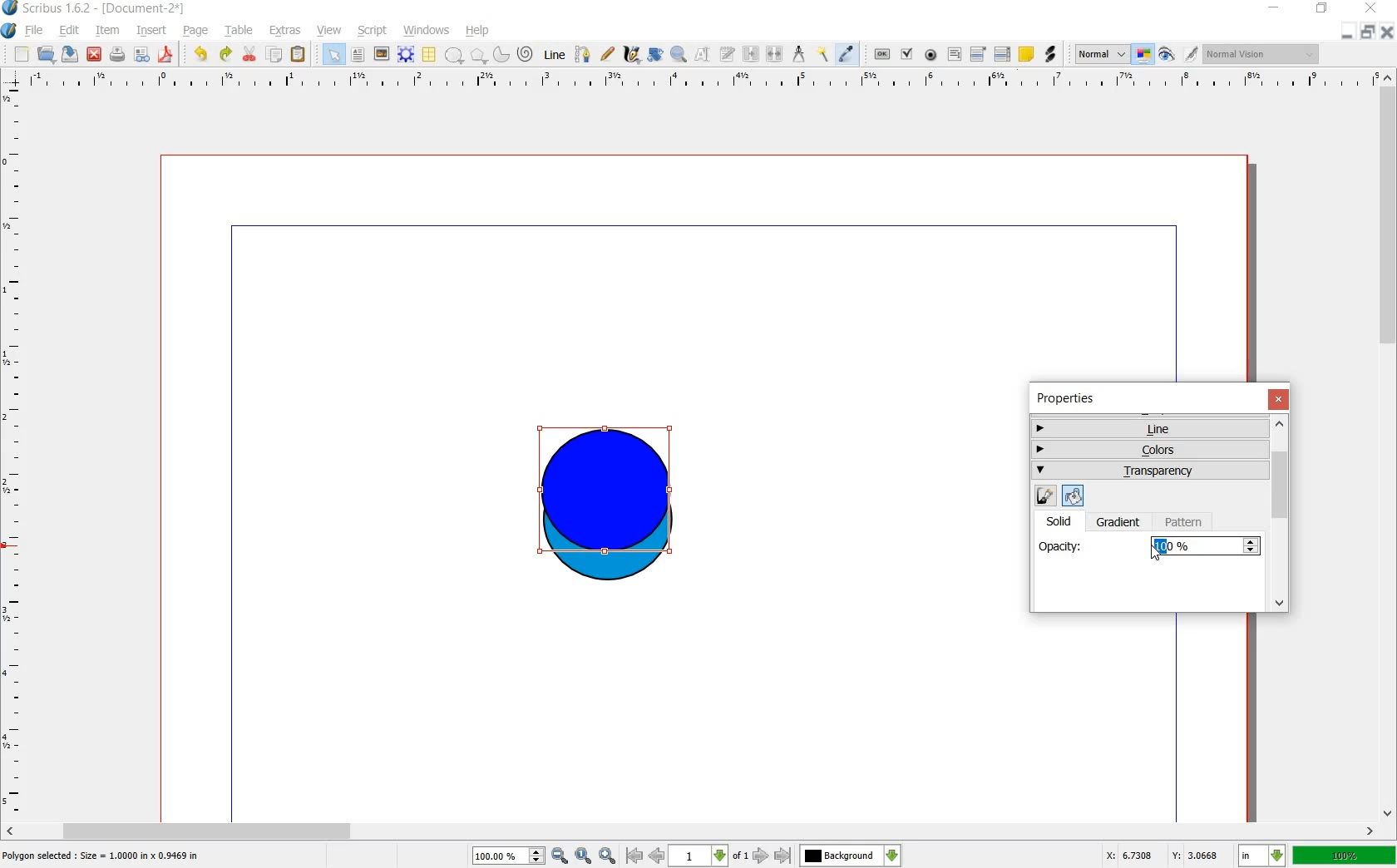 The width and height of the screenshot is (1397, 868). I want to click on edit contents of frame, so click(701, 54).